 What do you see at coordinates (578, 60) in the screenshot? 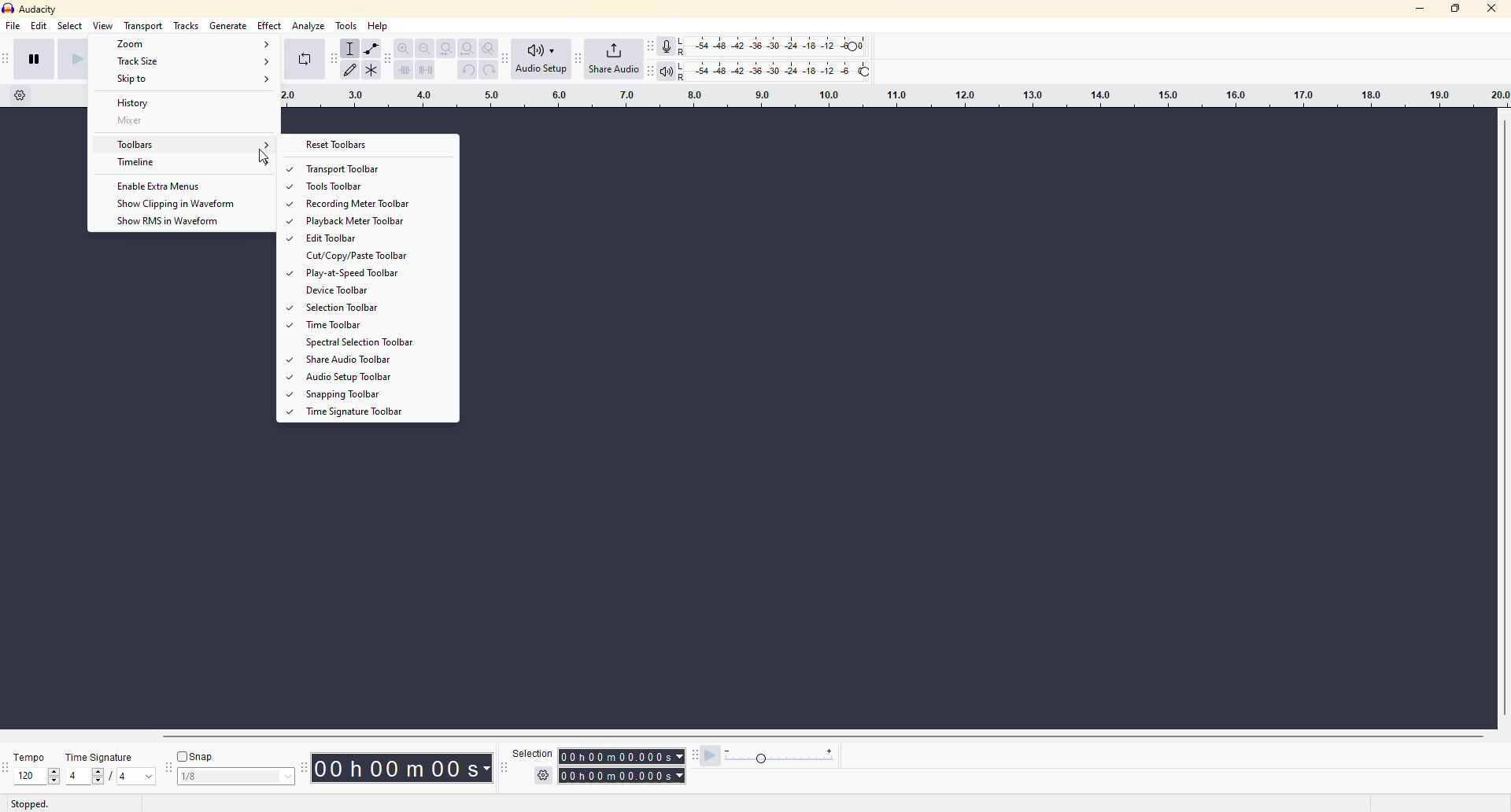
I see `audacity share audio toolbar` at bounding box center [578, 60].